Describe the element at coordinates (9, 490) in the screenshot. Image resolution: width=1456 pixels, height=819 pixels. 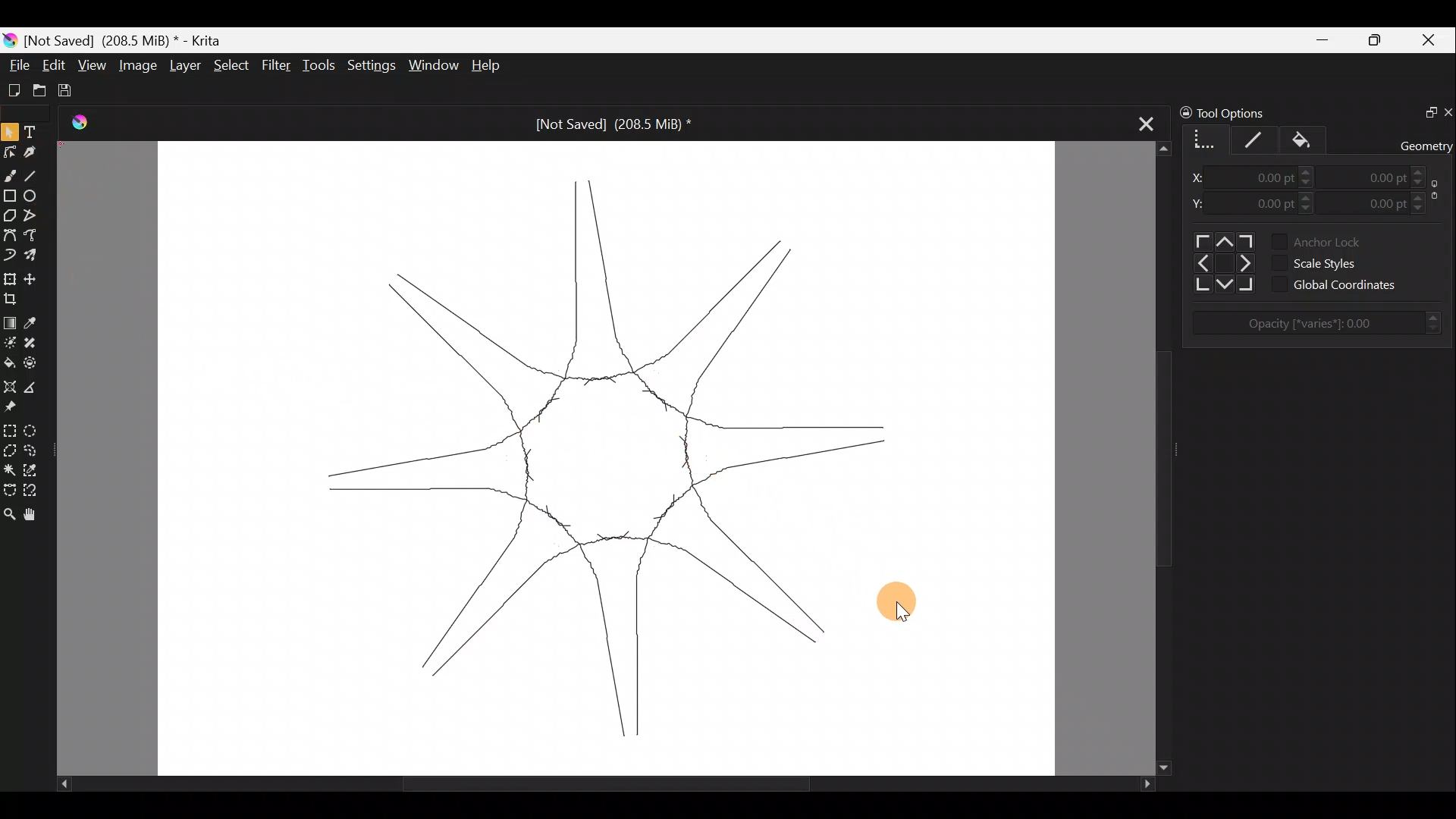
I see `Bezier curve selection tool` at that location.